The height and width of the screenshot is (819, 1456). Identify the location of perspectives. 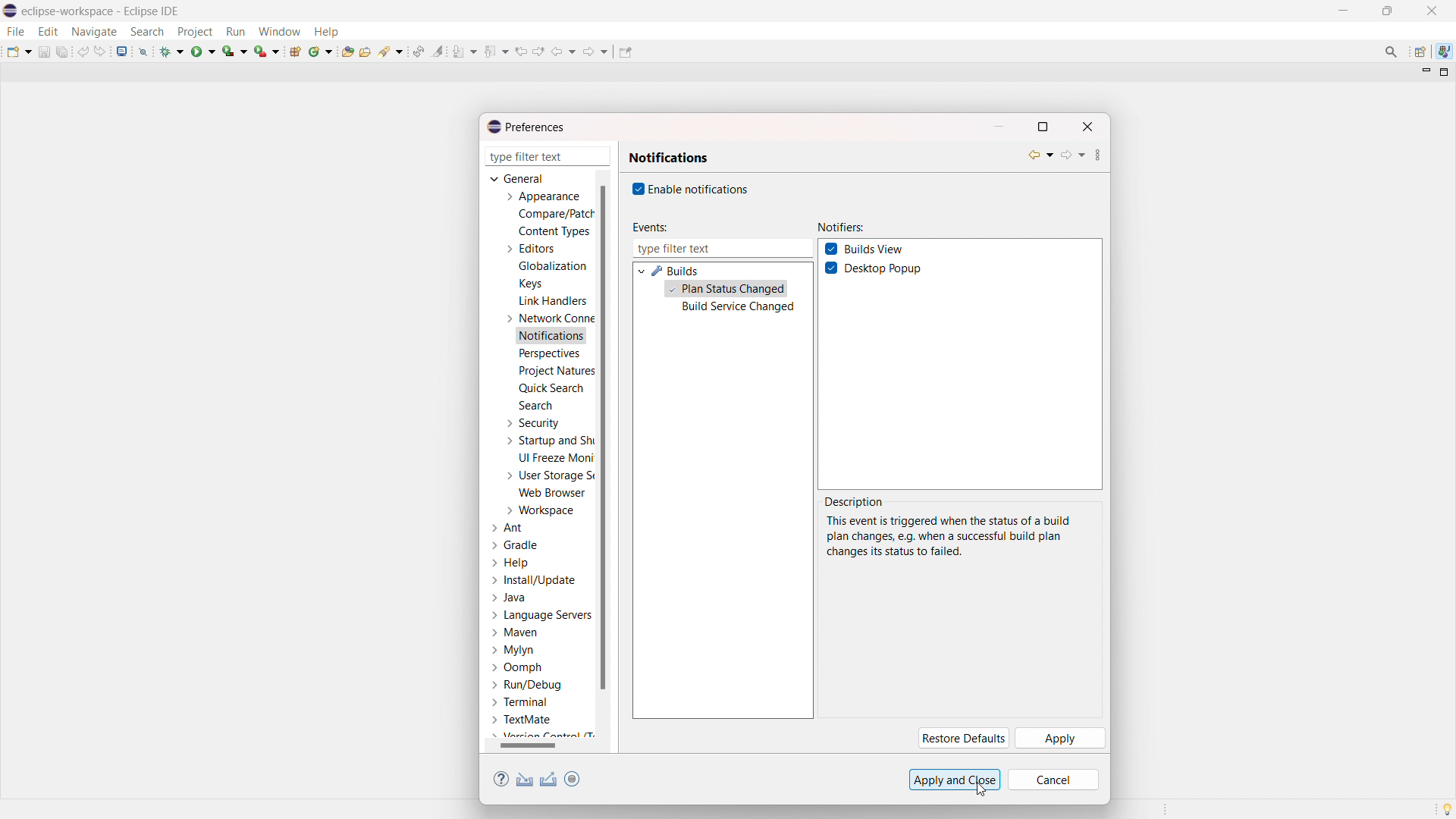
(548, 354).